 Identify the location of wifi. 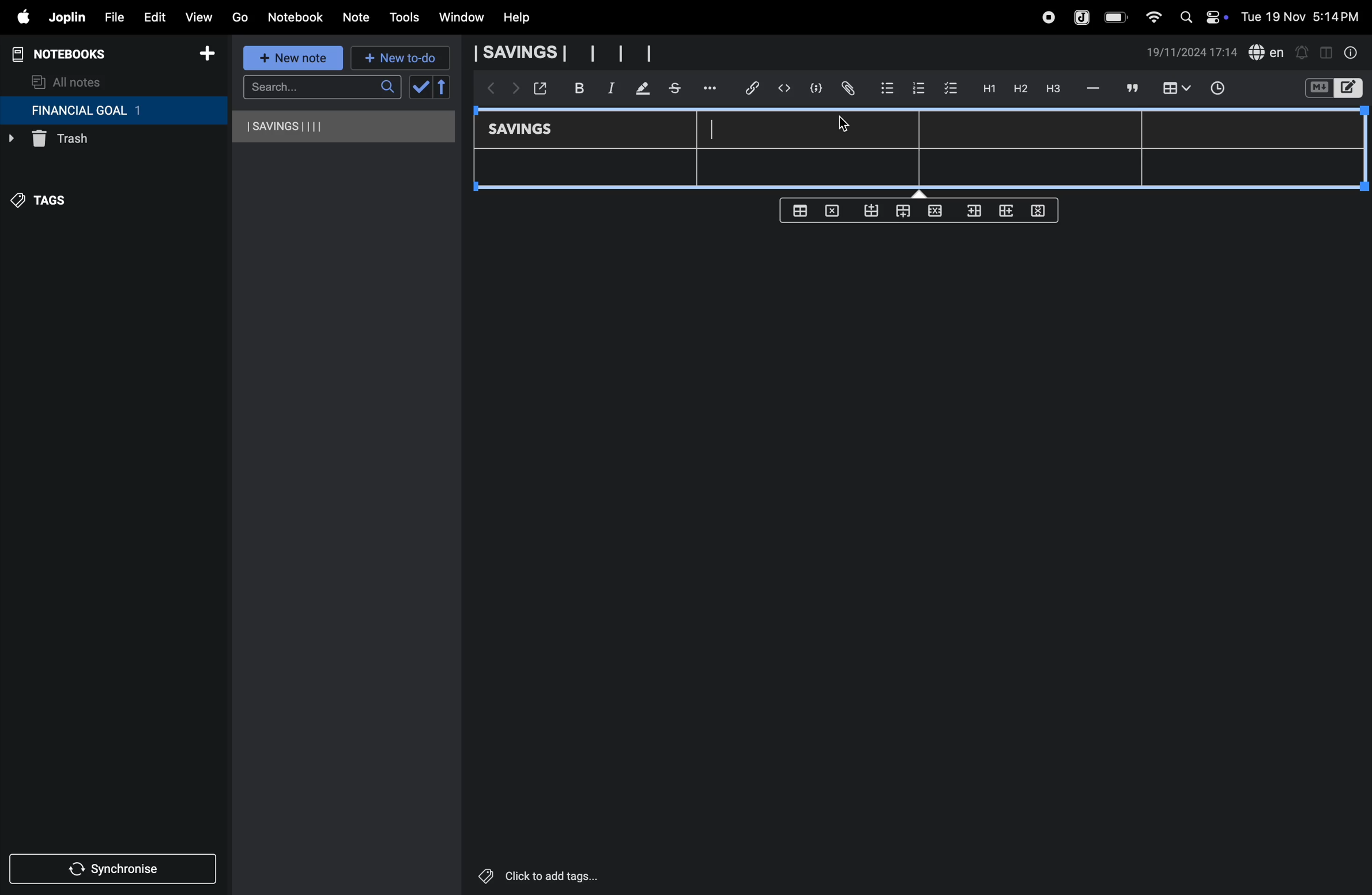
(1150, 17).